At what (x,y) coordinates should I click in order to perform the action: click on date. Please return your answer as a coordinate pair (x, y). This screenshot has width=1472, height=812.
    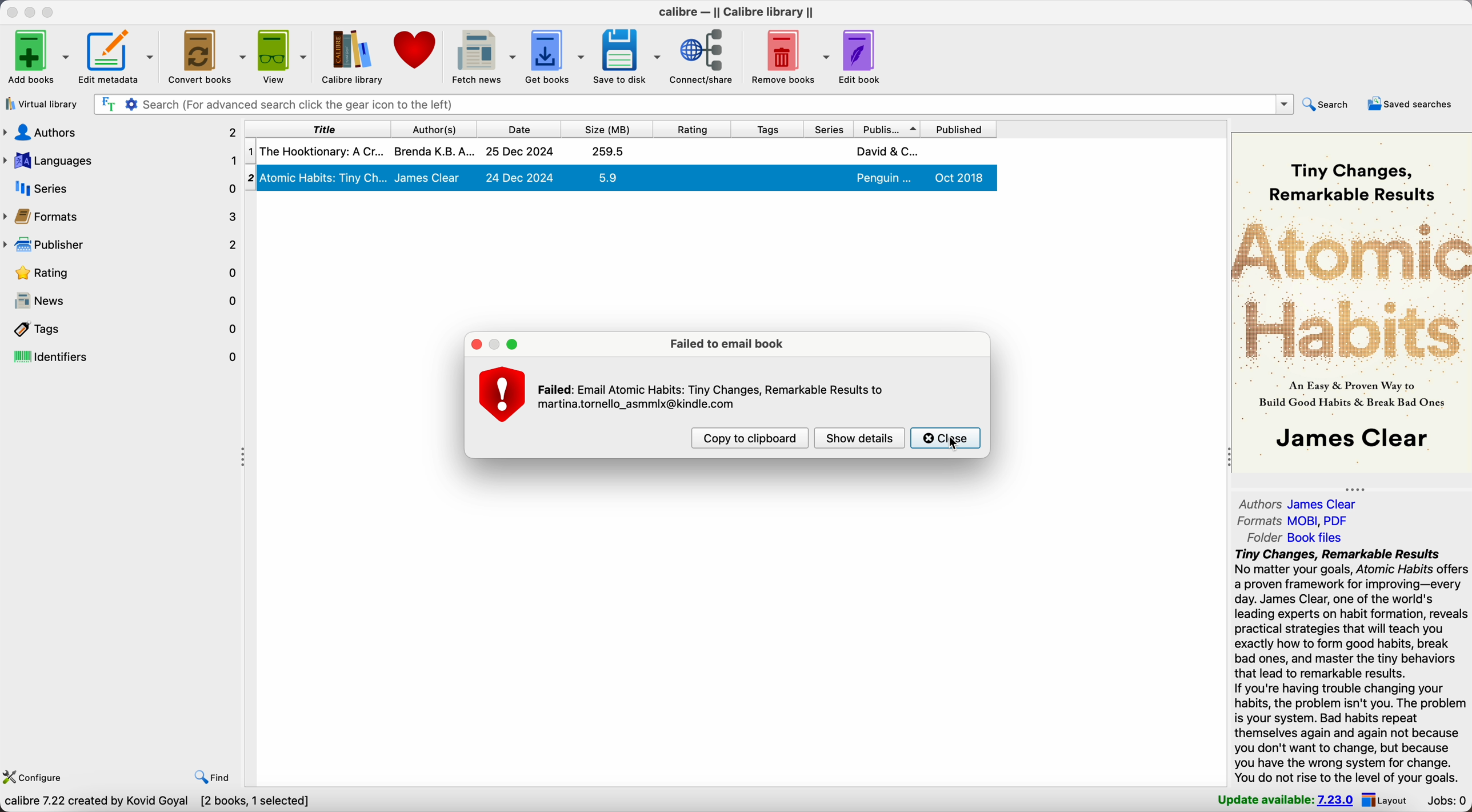
    Looking at the image, I should click on (517, 127).